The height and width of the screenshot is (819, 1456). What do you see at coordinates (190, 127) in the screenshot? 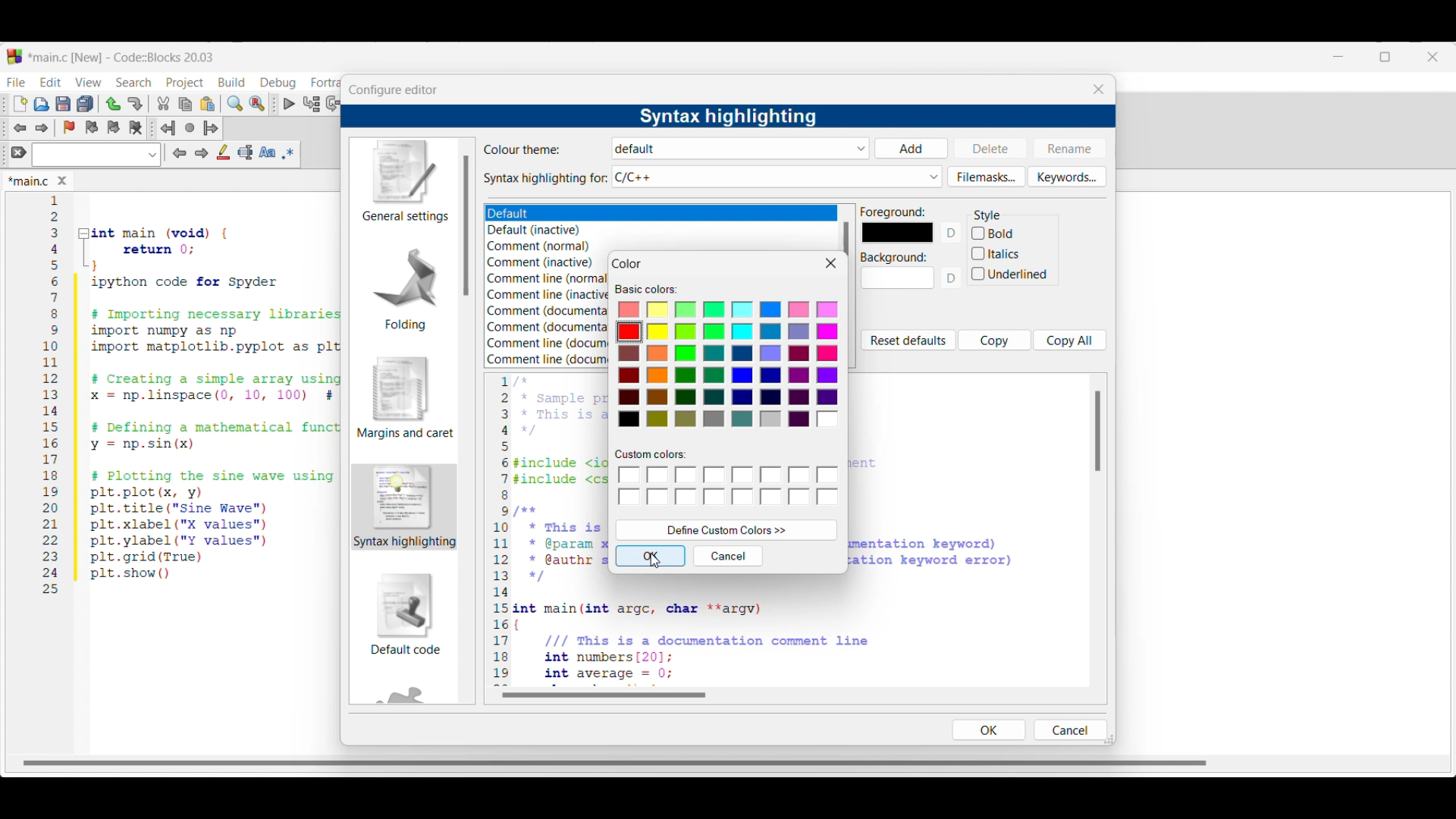
I see `Last jump` at bounding box center [190, 127].